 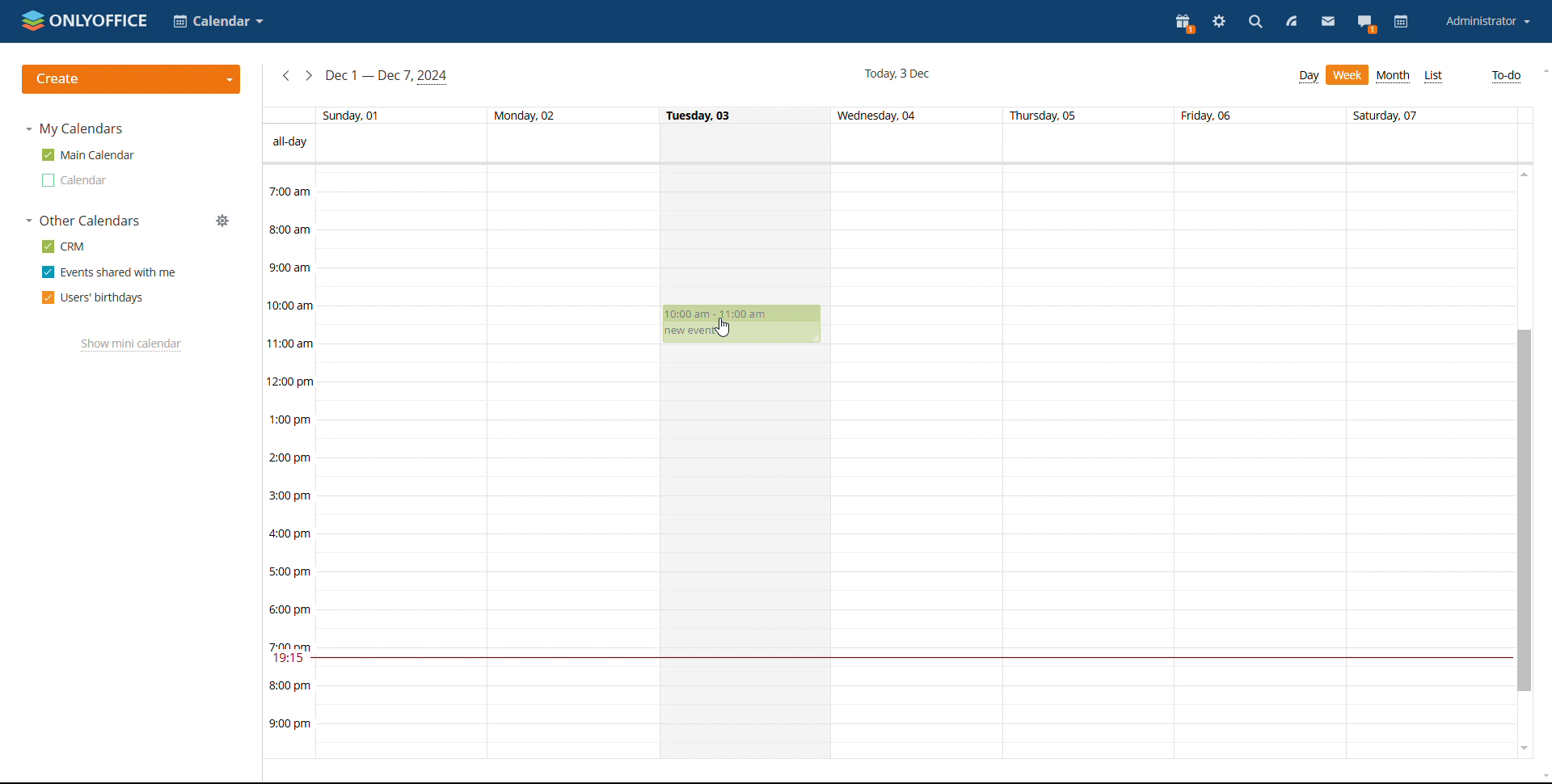 I want to click on create, so click(x=132, y=79).